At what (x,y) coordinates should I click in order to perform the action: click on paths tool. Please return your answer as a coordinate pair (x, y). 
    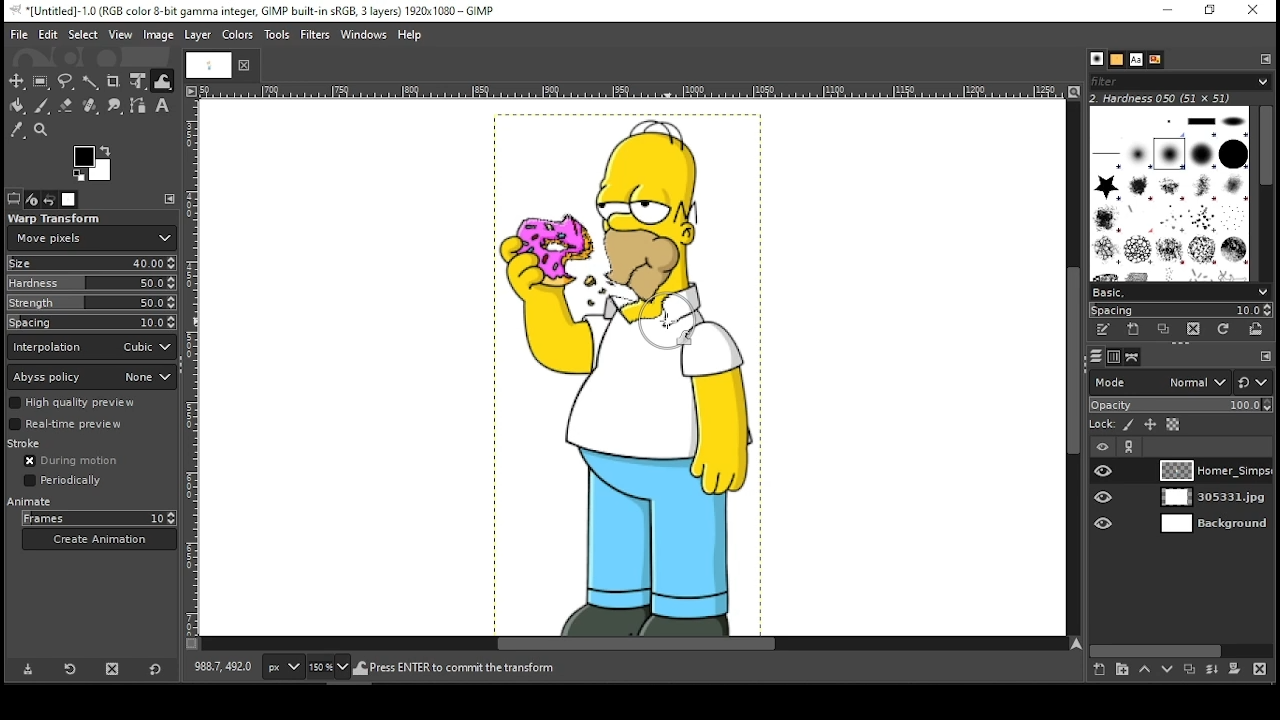
    Looking at the image, I should click on (137, 106).